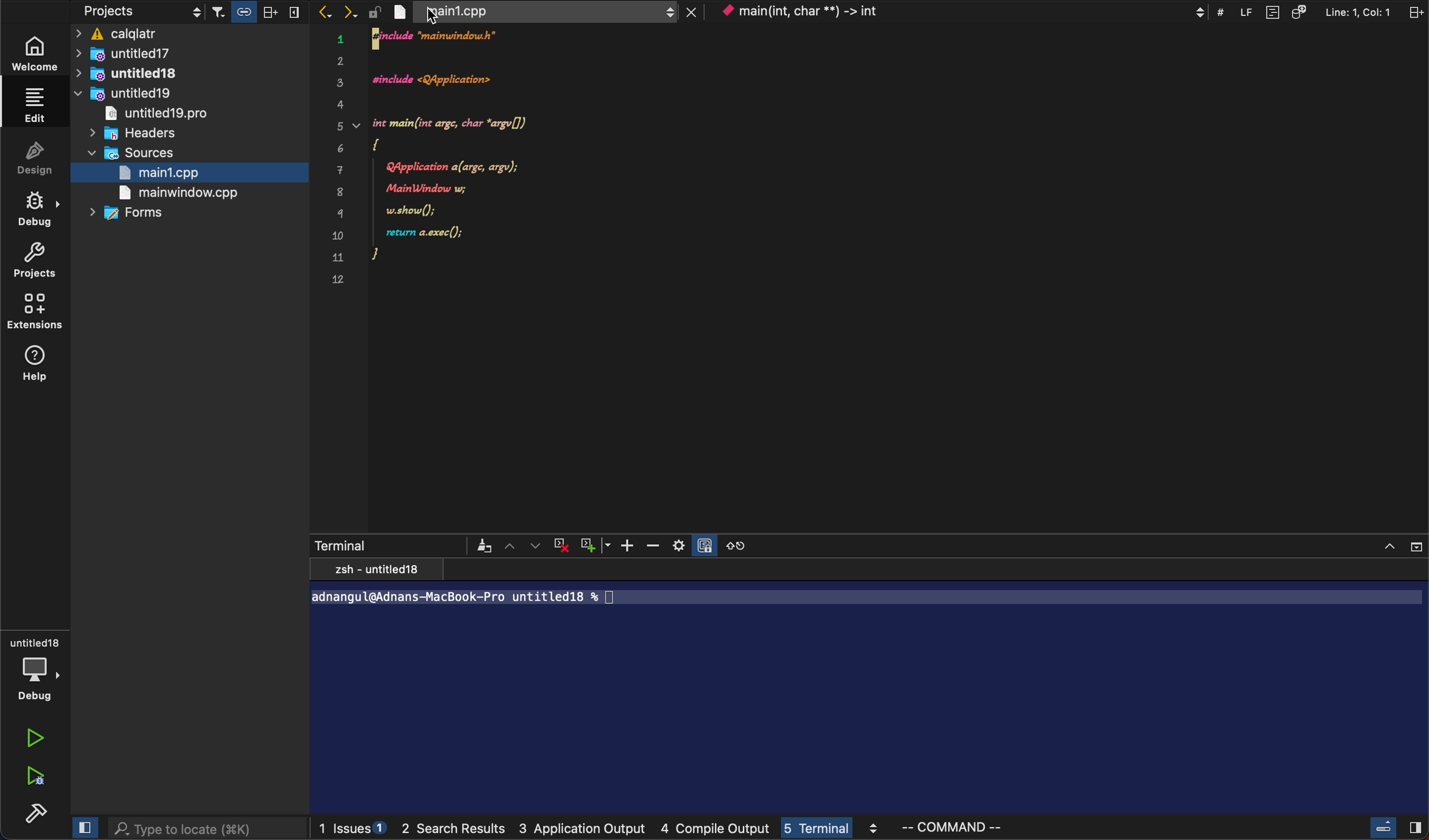  What do you see at coordinates (41, 211) in the screenshot?
I see `debug` at bounding box center [41, 211].